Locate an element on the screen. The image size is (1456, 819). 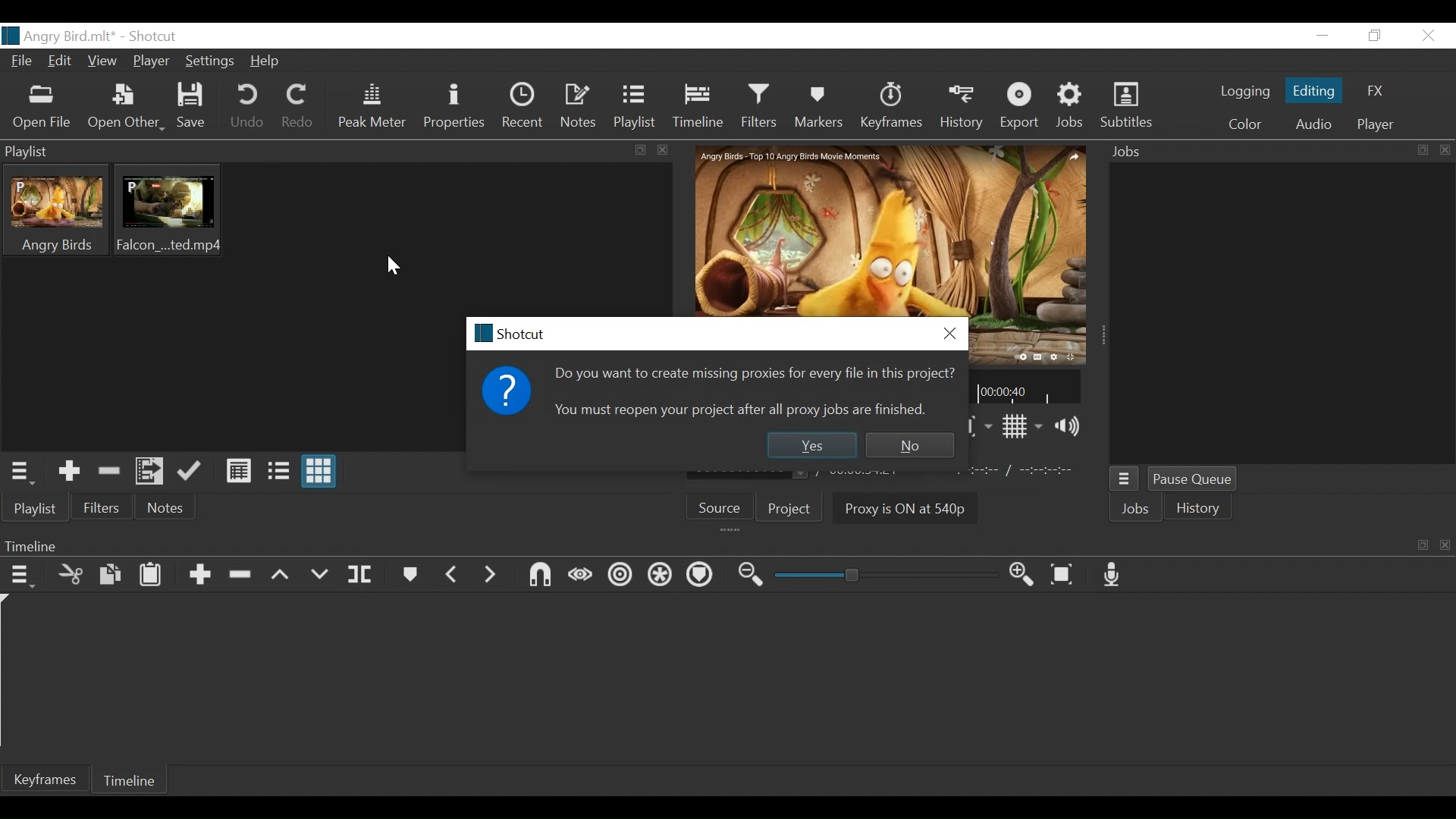
Cut is located at coordinates (69, 575).